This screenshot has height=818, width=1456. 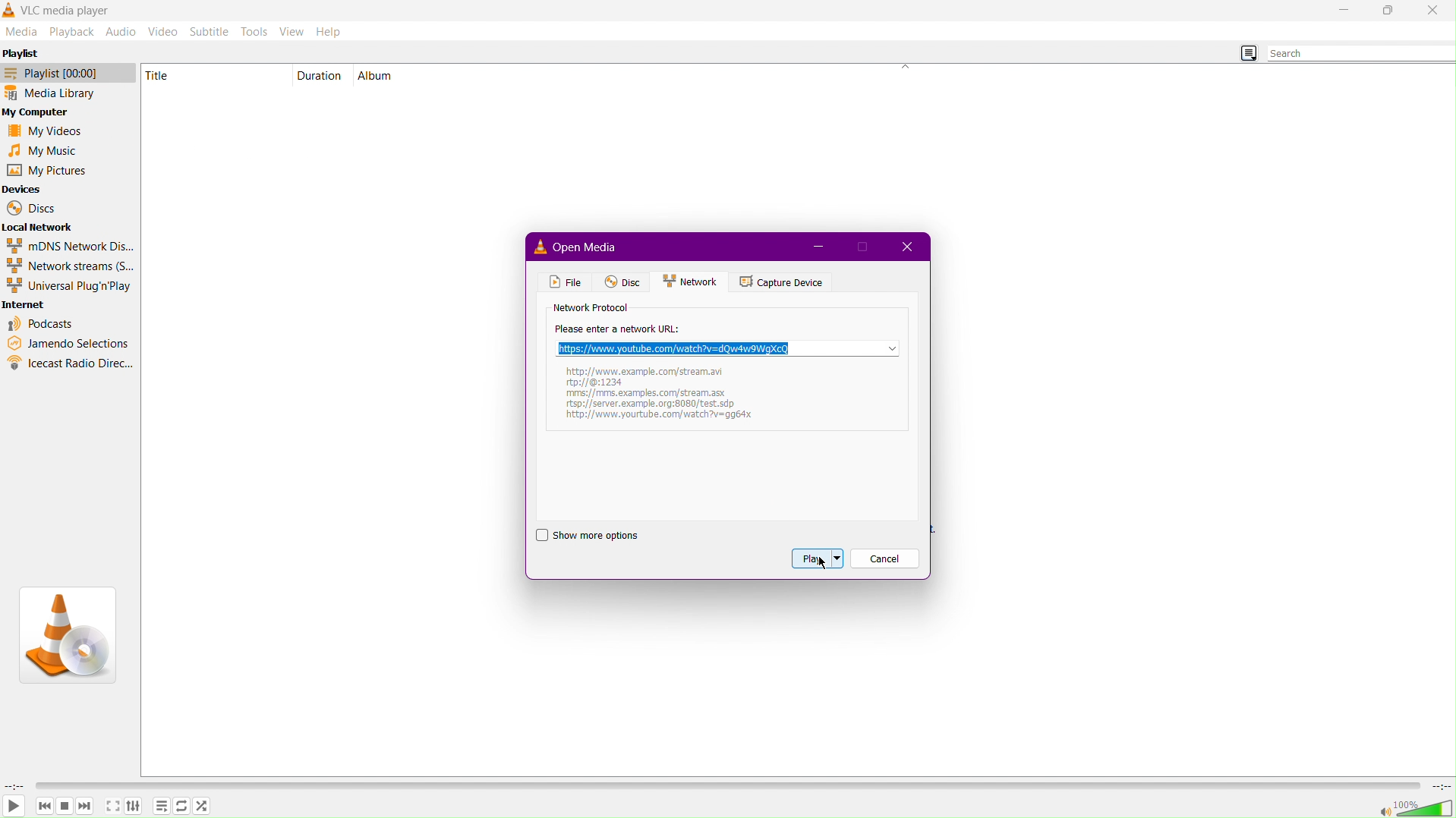 What do you see at coordinates (23, 33) in the screenshot?
I see `Media` at bounding box center [23, 33].